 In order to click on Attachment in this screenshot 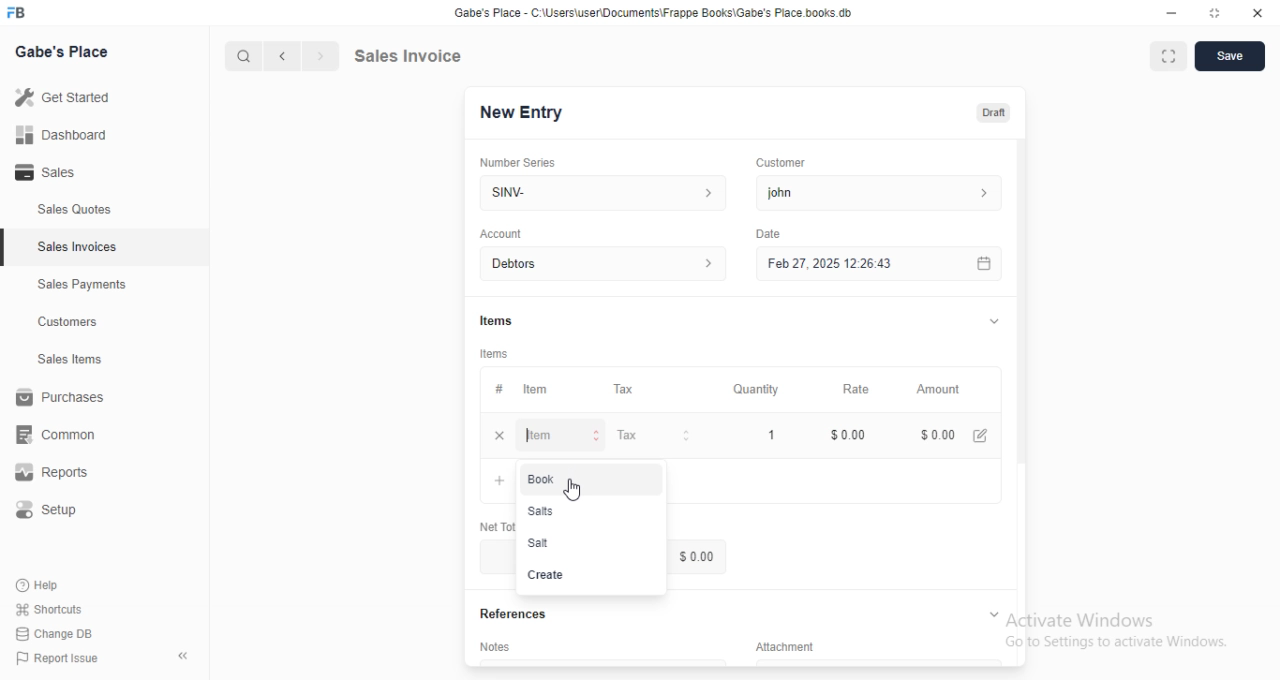, I will do `click(777, 645)`.